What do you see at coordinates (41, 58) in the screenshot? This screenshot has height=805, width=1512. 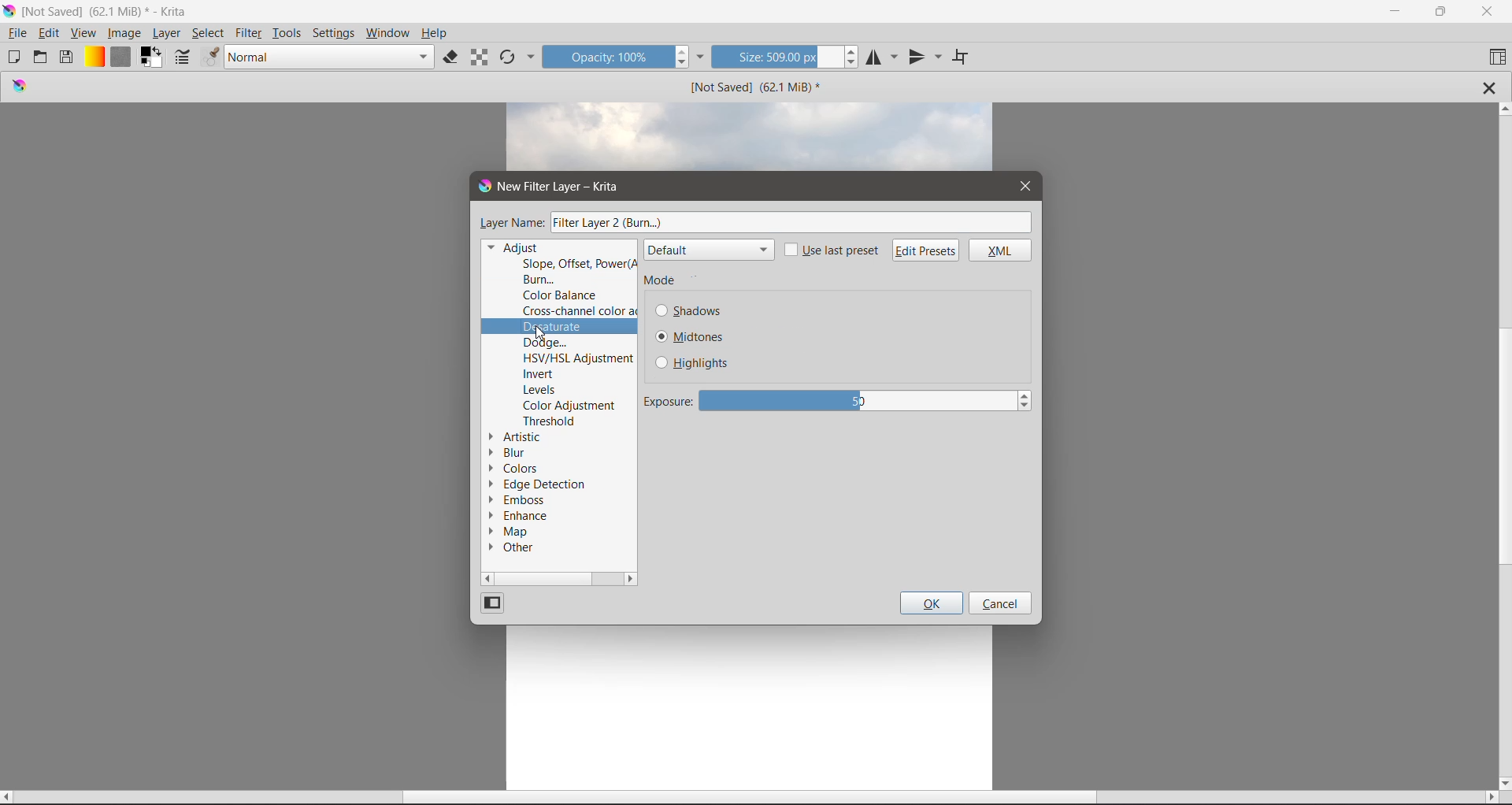 I see `Open an existing Document` at bounding box center [41, 58].